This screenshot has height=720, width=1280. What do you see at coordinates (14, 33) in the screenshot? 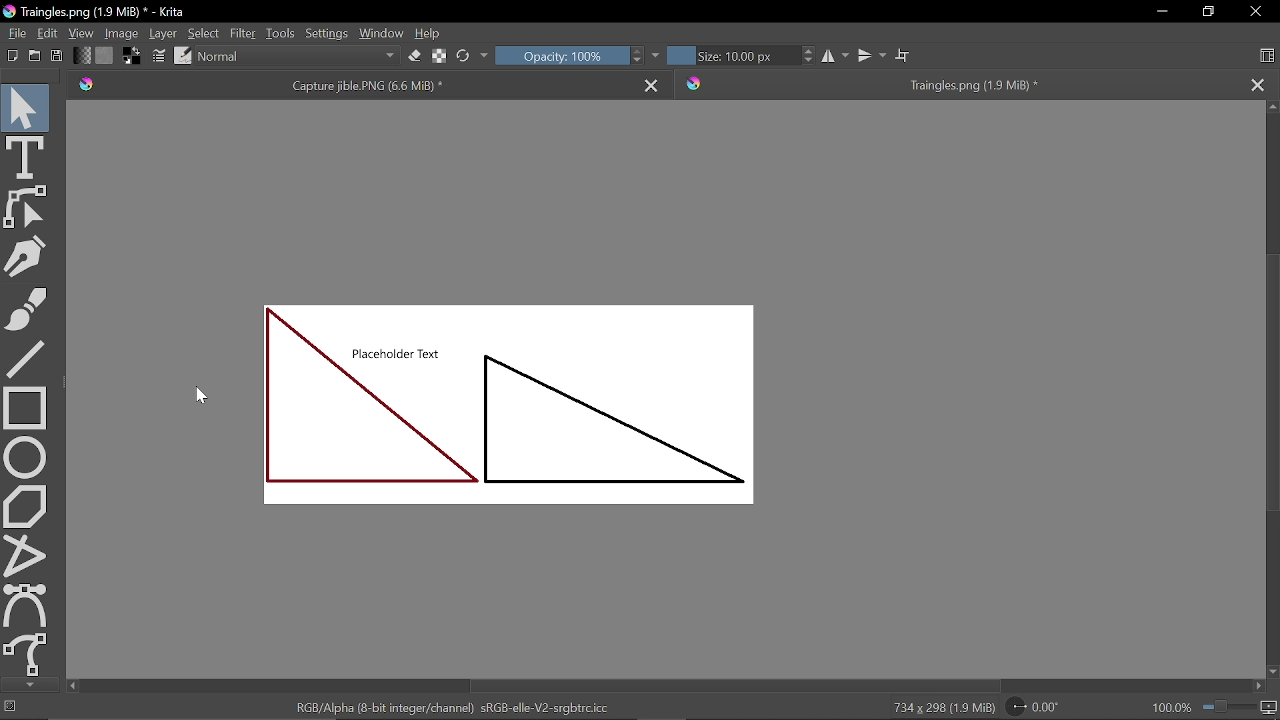
I see `File` at bounding box center [14, 33].